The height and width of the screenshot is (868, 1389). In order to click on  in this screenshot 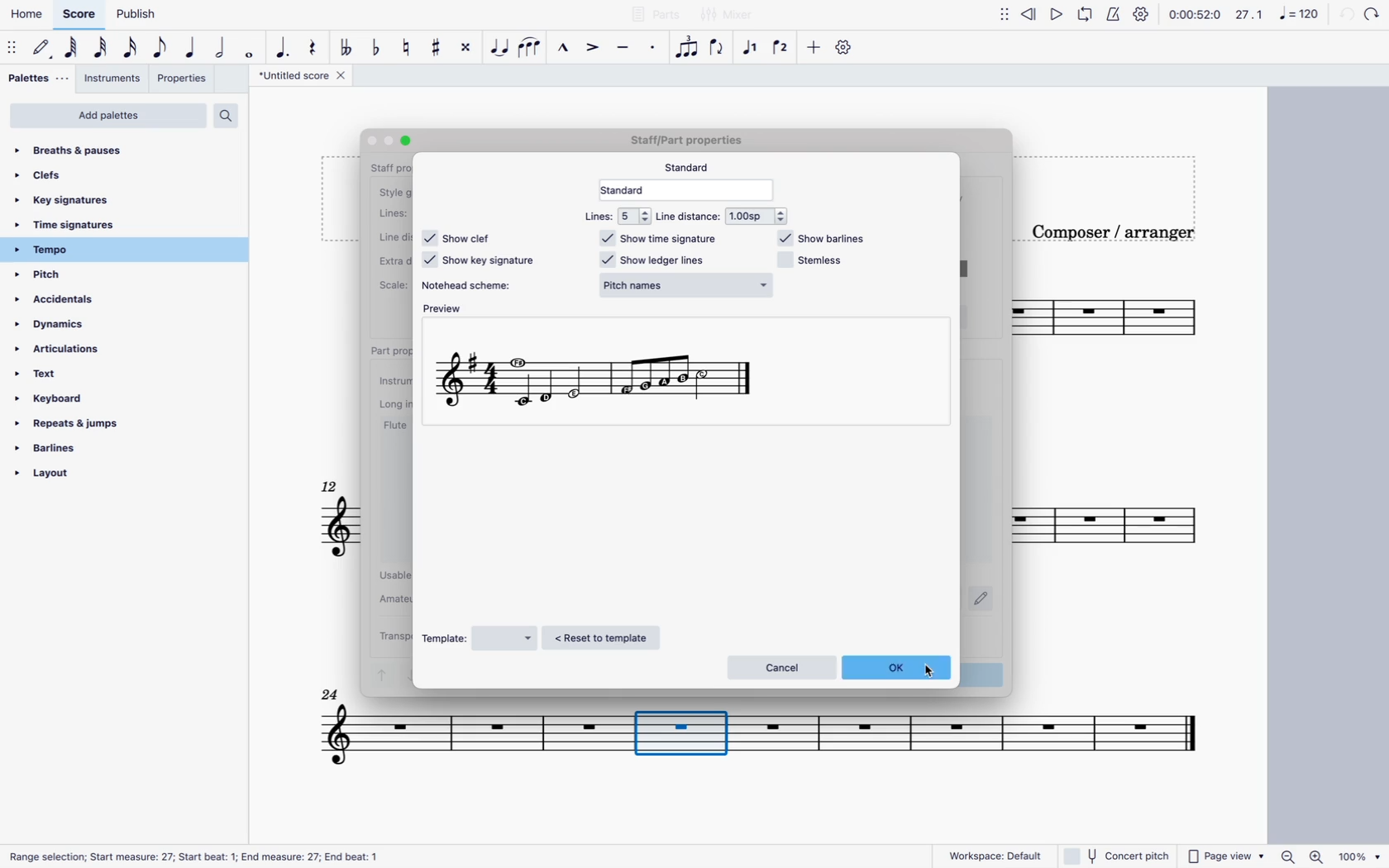, I will do `click(389, 139)`.